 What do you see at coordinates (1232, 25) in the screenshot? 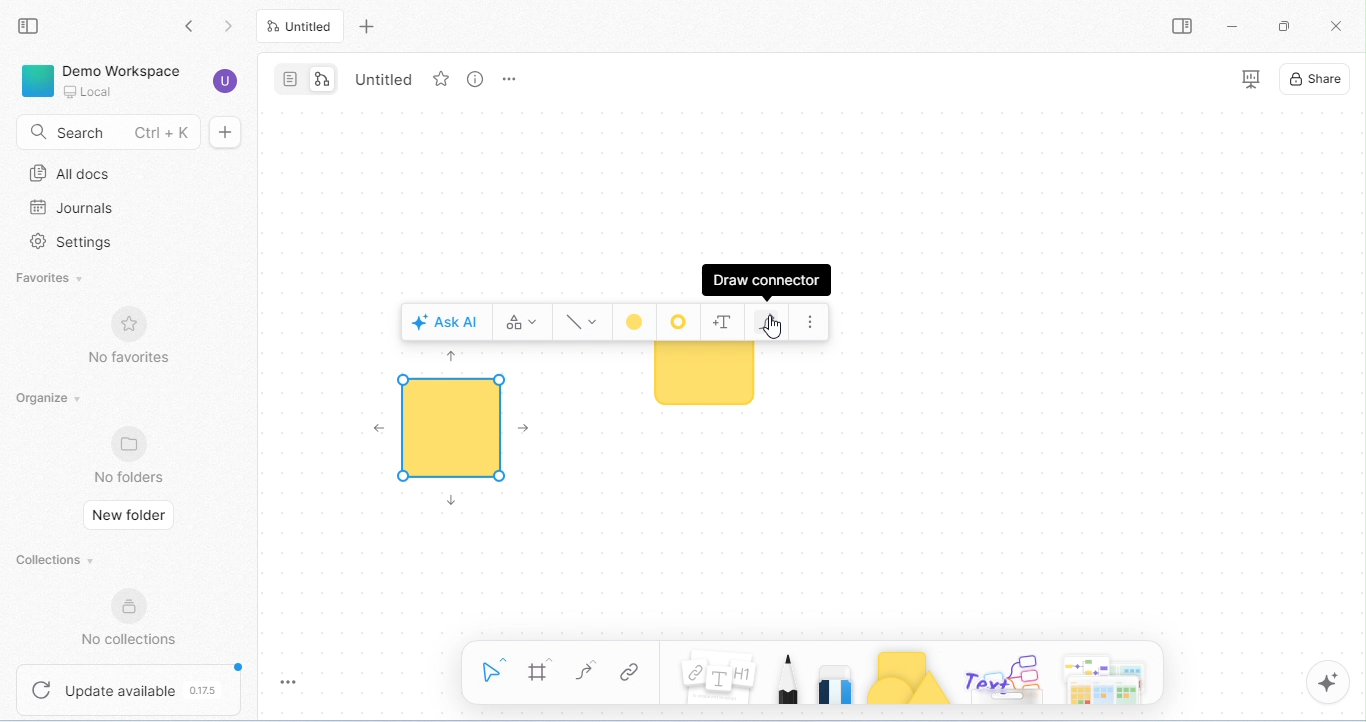
I see `minimize` at bounding box center [1232, 25].